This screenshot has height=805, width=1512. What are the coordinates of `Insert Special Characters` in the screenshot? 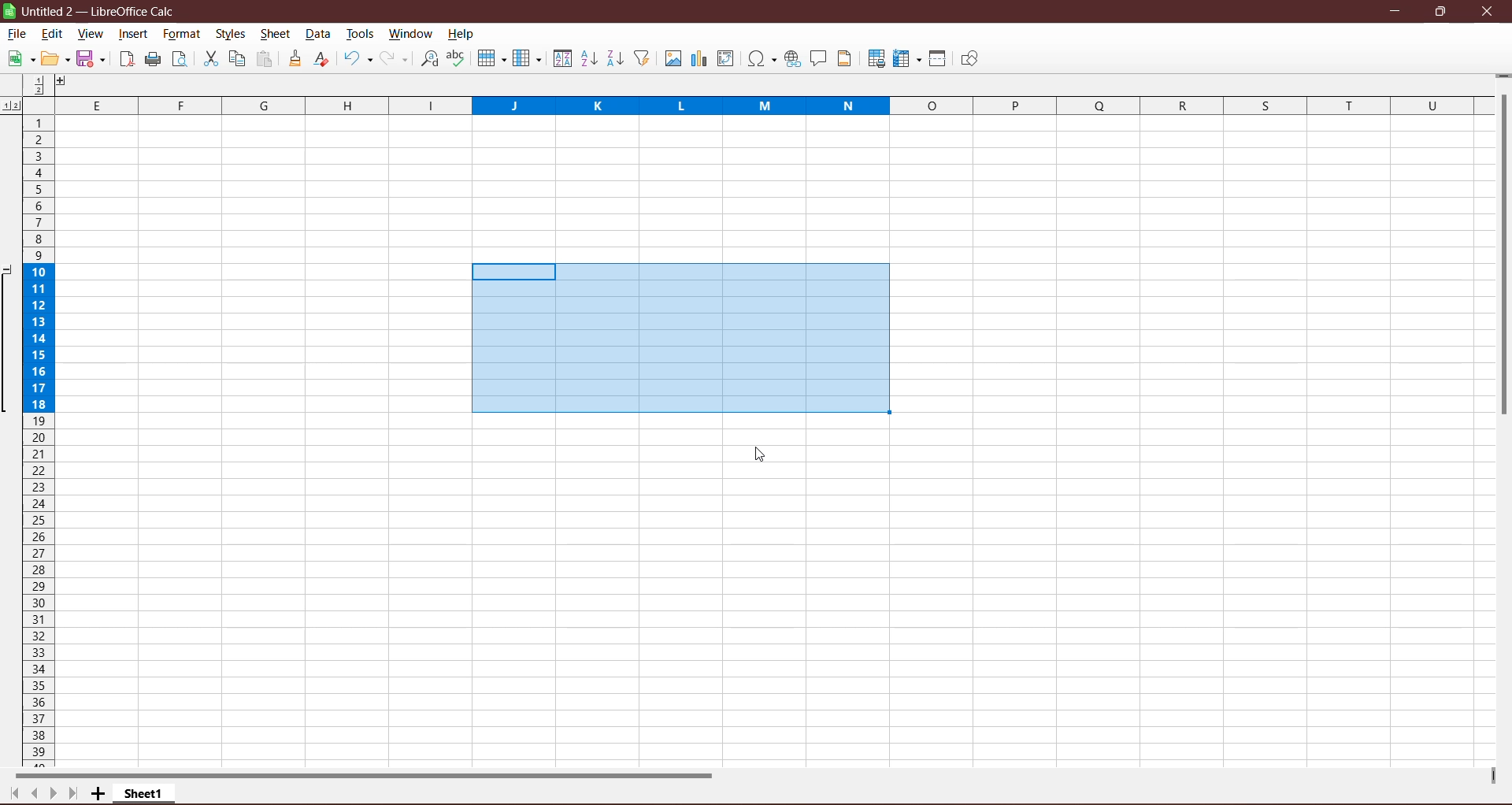 It's located at (762, 58).